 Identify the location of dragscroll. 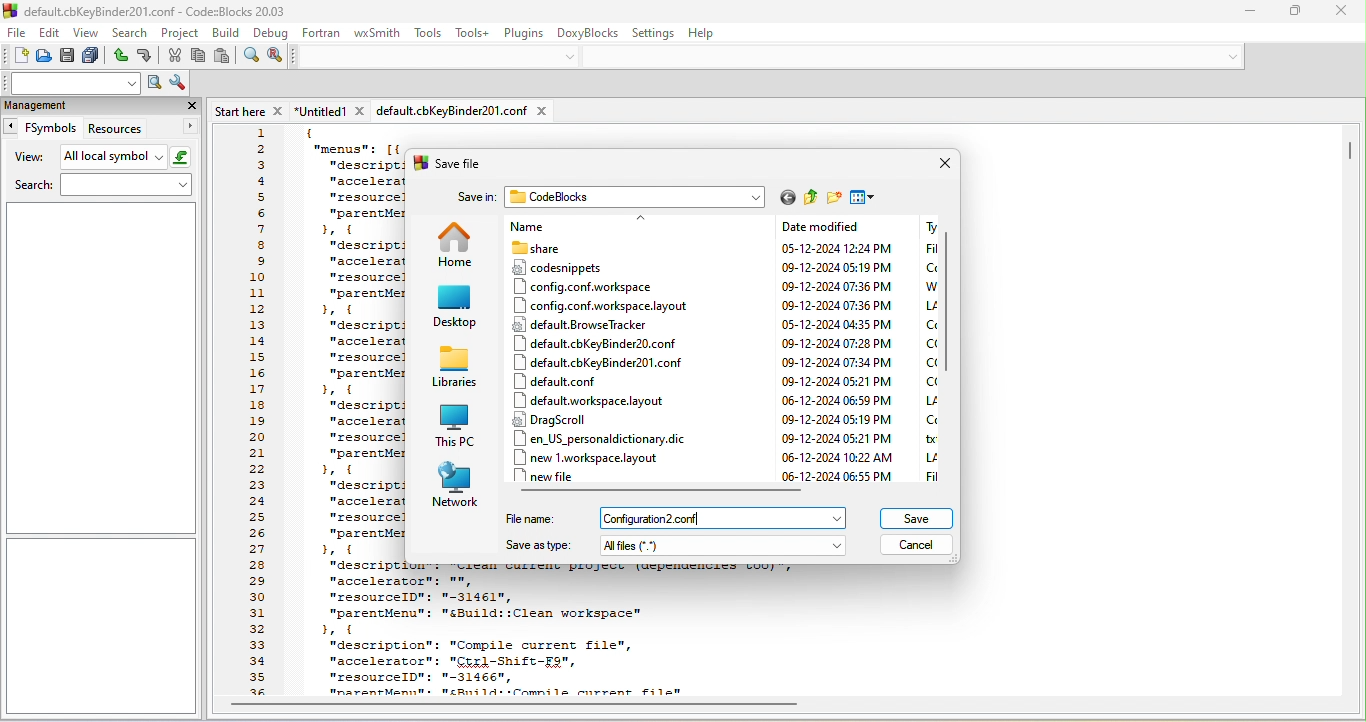
(554, 418).